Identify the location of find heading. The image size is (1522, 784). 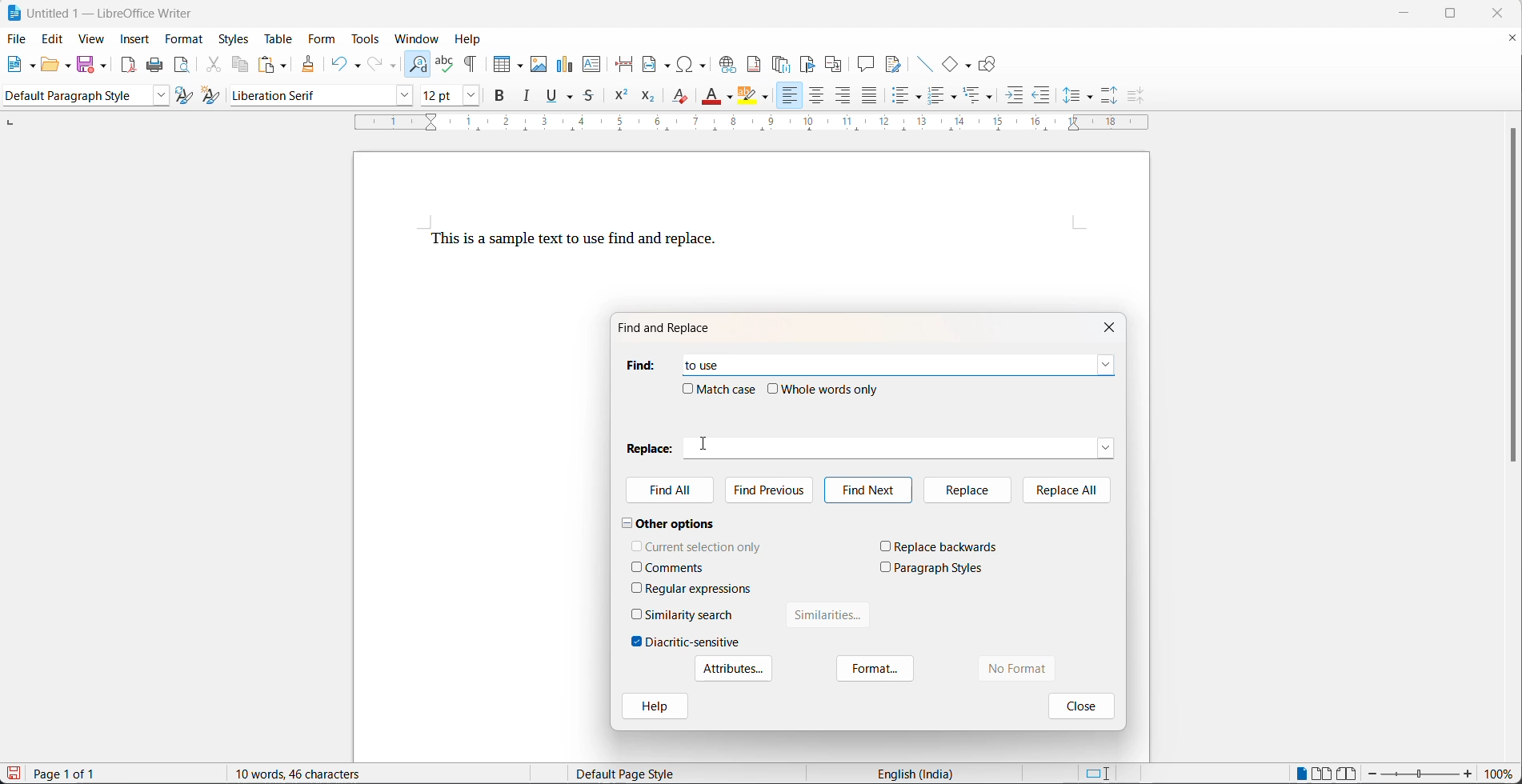
(639, 365).